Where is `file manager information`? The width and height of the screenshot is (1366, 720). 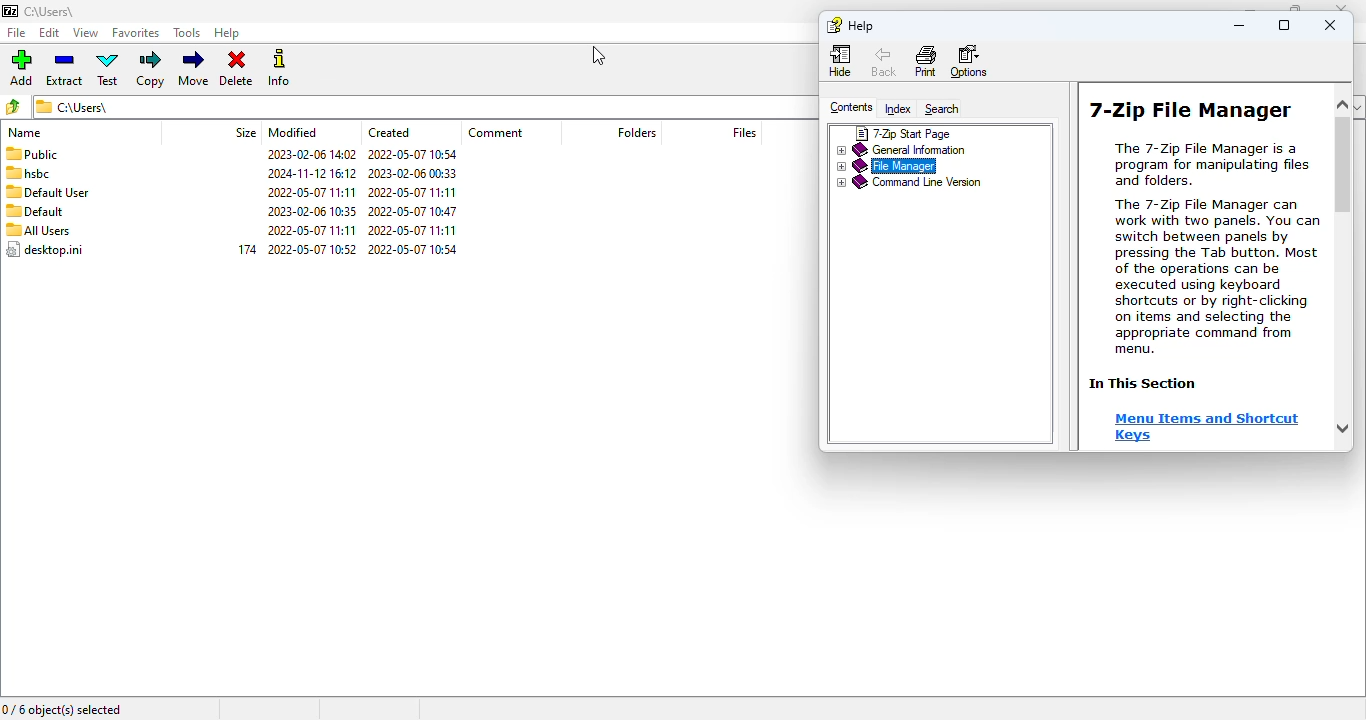
file manager information is located at coordinates (1215, 248).